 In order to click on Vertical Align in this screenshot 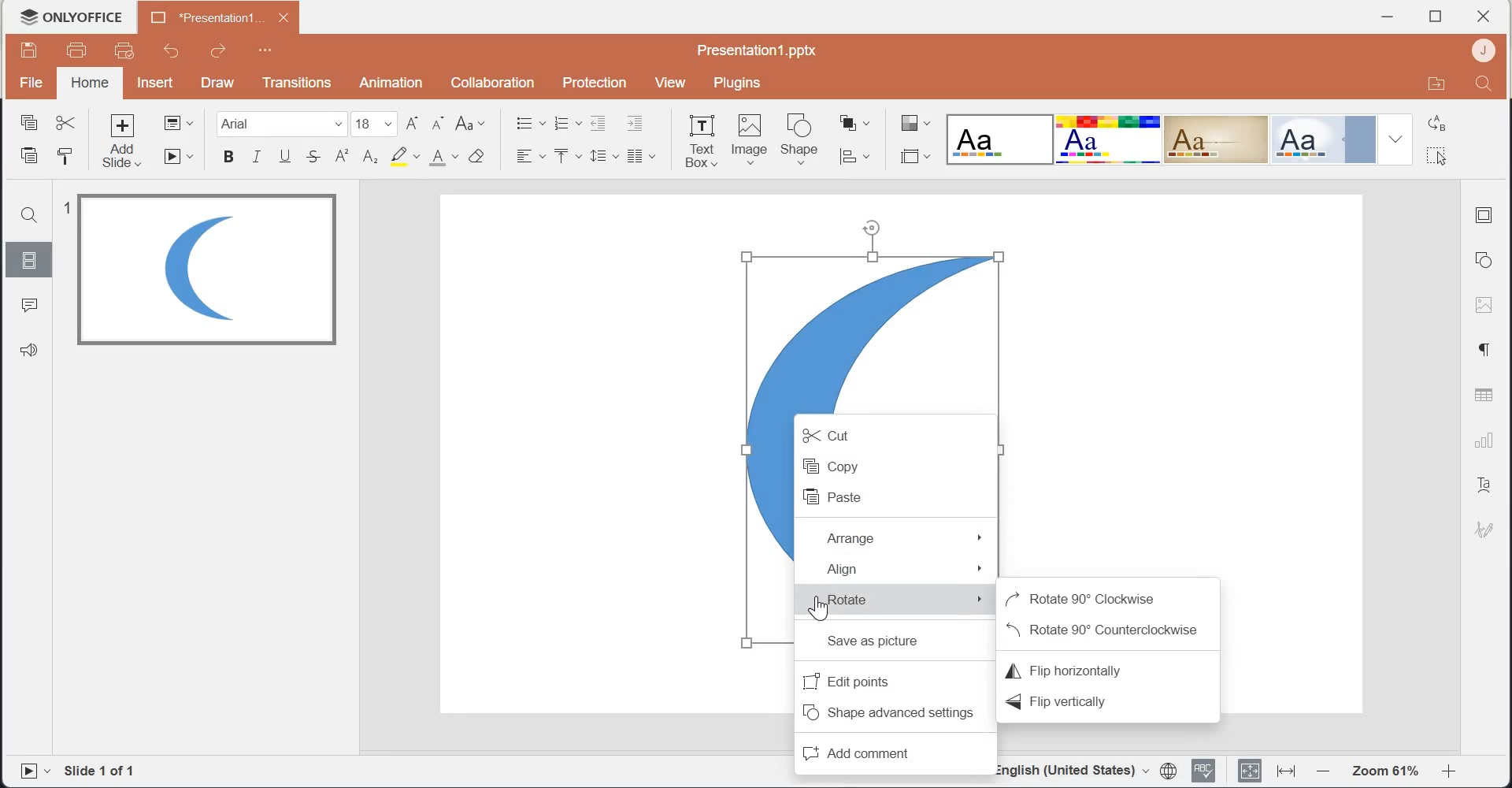, I will do `click(569, 154)`.